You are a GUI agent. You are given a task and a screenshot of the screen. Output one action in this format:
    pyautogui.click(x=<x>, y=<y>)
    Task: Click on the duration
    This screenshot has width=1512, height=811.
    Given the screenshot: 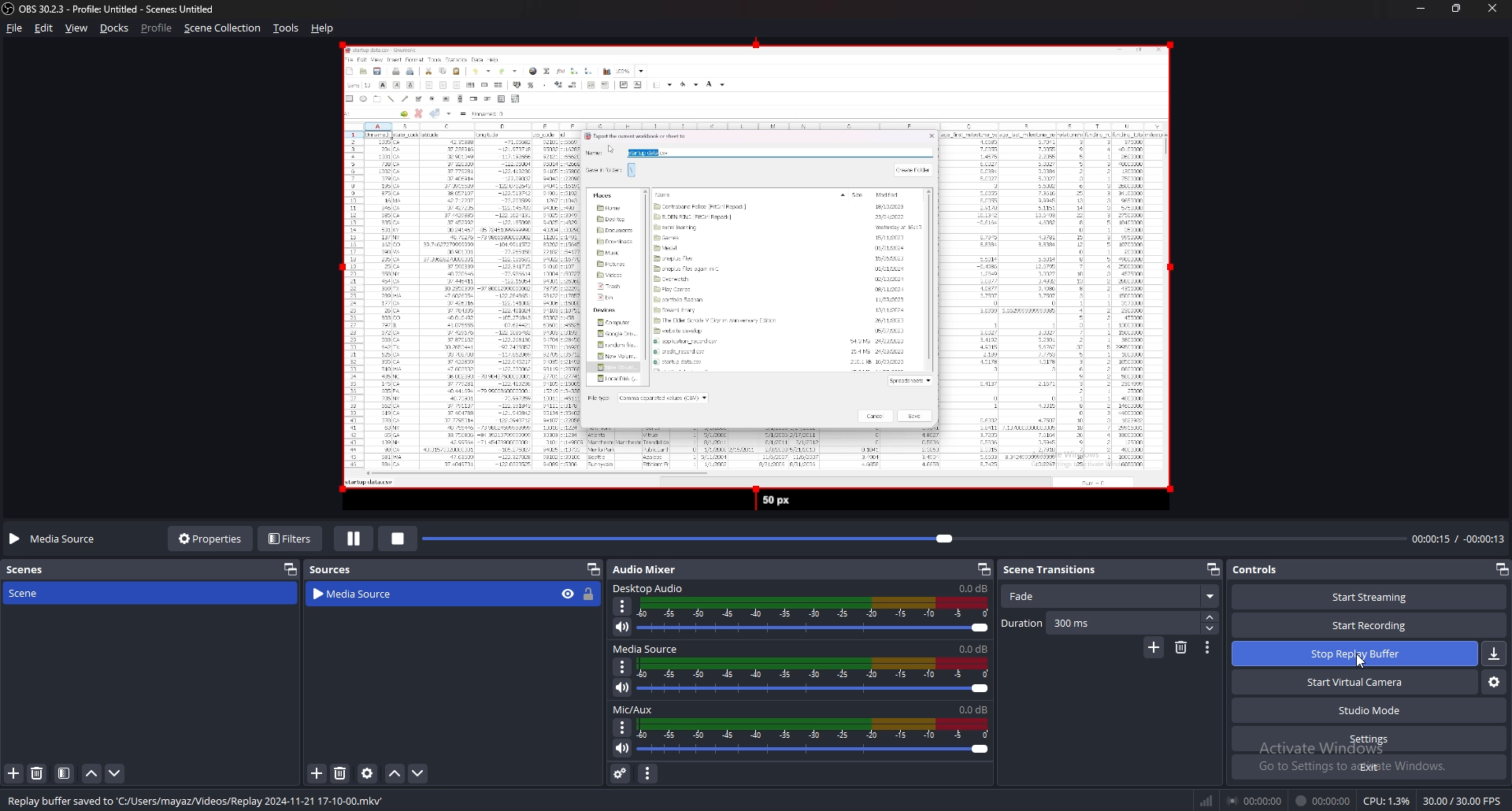 What is the action you would take?
    pyautogui.click(x=1100, y=623)
    